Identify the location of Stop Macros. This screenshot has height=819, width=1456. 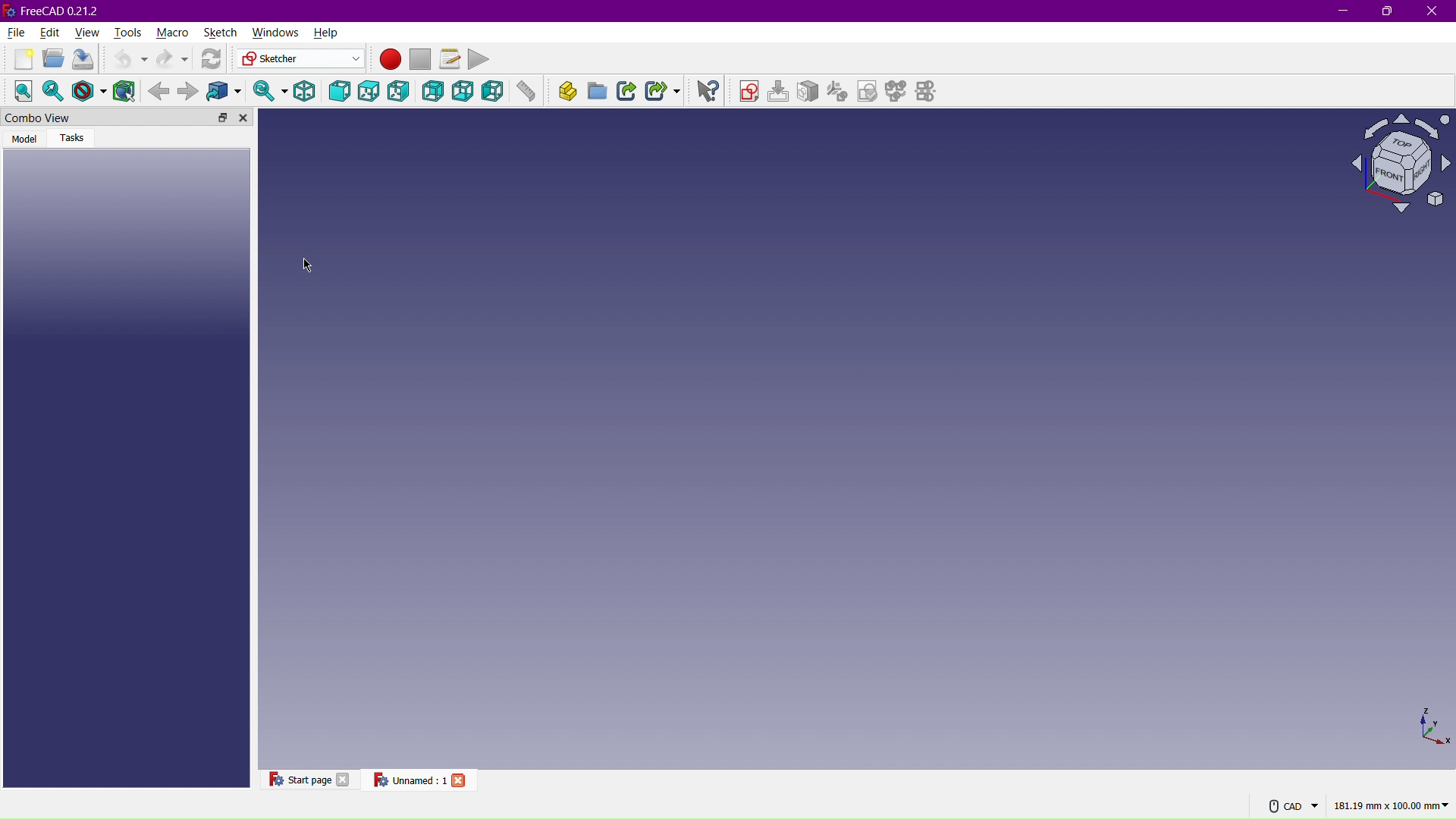
(419, 60).